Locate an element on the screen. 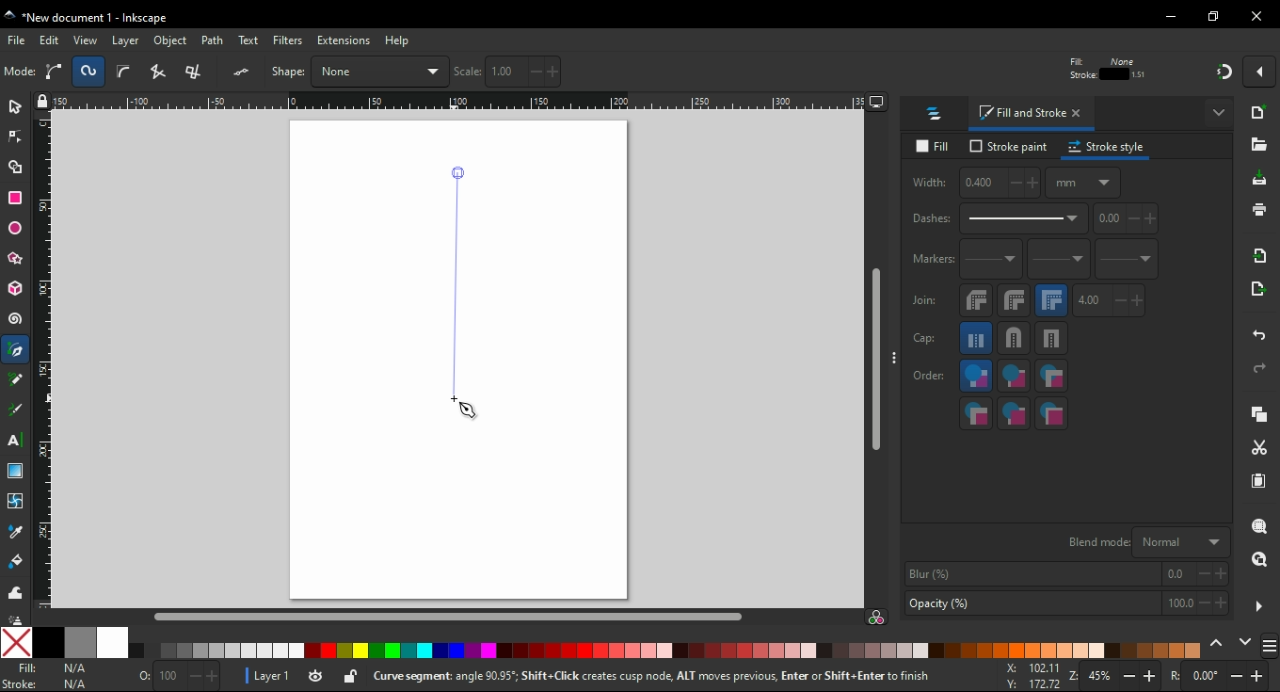 Image resolution: width=1280 pixels, height=692 pixels. object is located at coordinates (173, 41).